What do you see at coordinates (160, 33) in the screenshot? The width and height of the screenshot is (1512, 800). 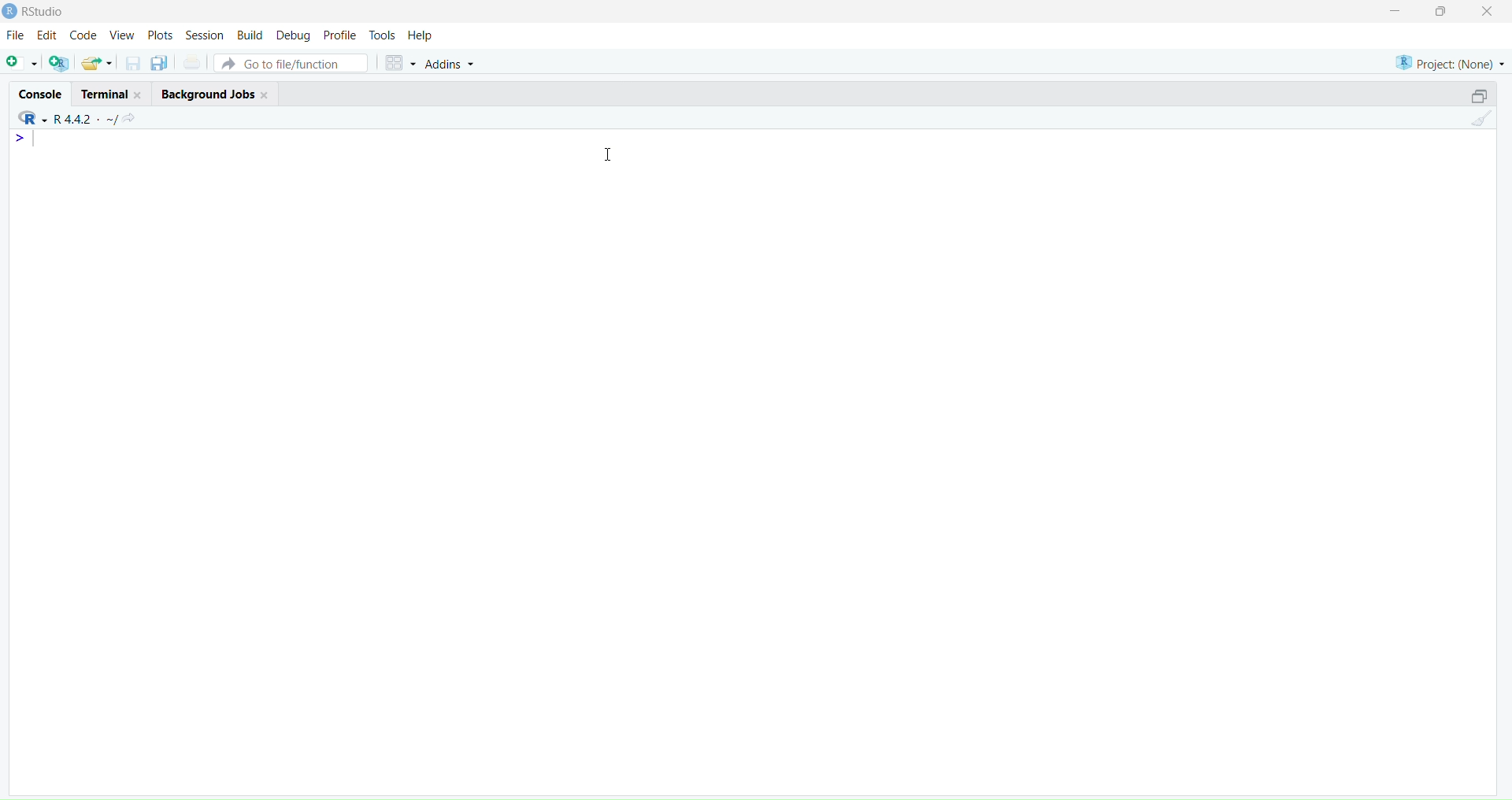 I see `Plots` at bounding box center [160, 33].